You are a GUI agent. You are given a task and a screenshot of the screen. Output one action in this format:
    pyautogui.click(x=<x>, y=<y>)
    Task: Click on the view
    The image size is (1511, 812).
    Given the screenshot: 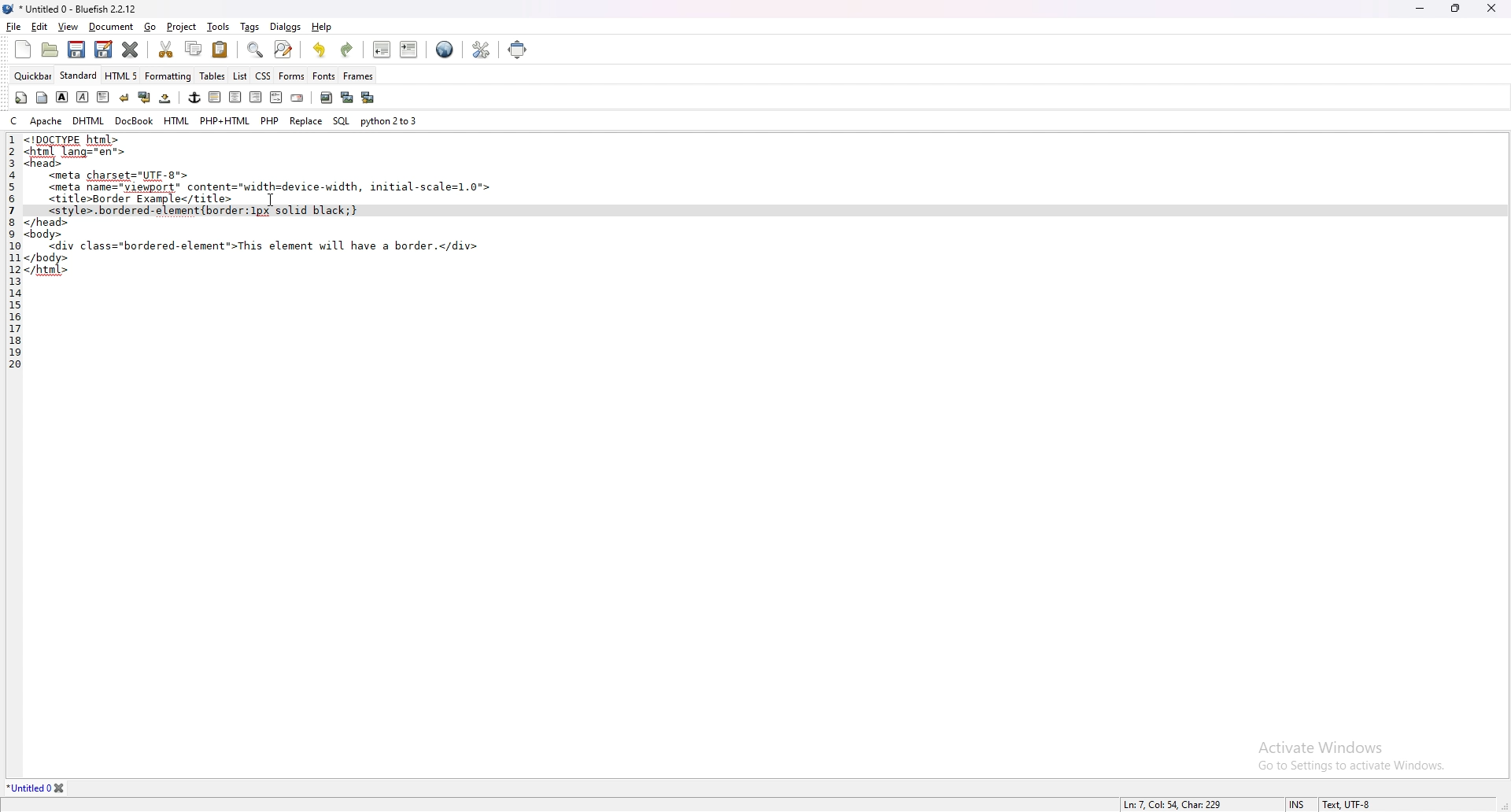 What is the action you would take?
    pyautogui.click(x=68, y=27)
    